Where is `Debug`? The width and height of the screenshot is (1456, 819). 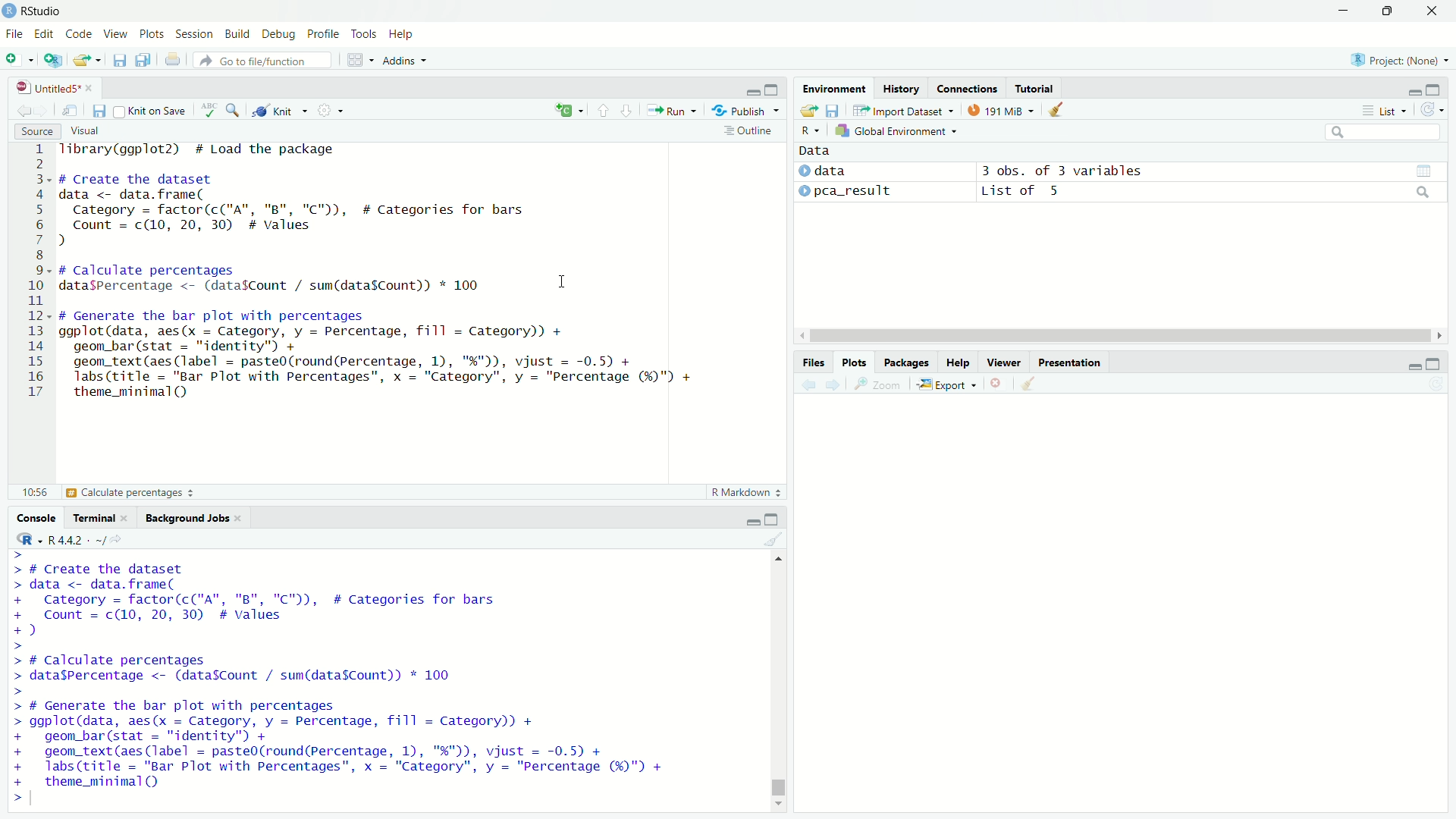
Debug is located at coordinates (282, 35).